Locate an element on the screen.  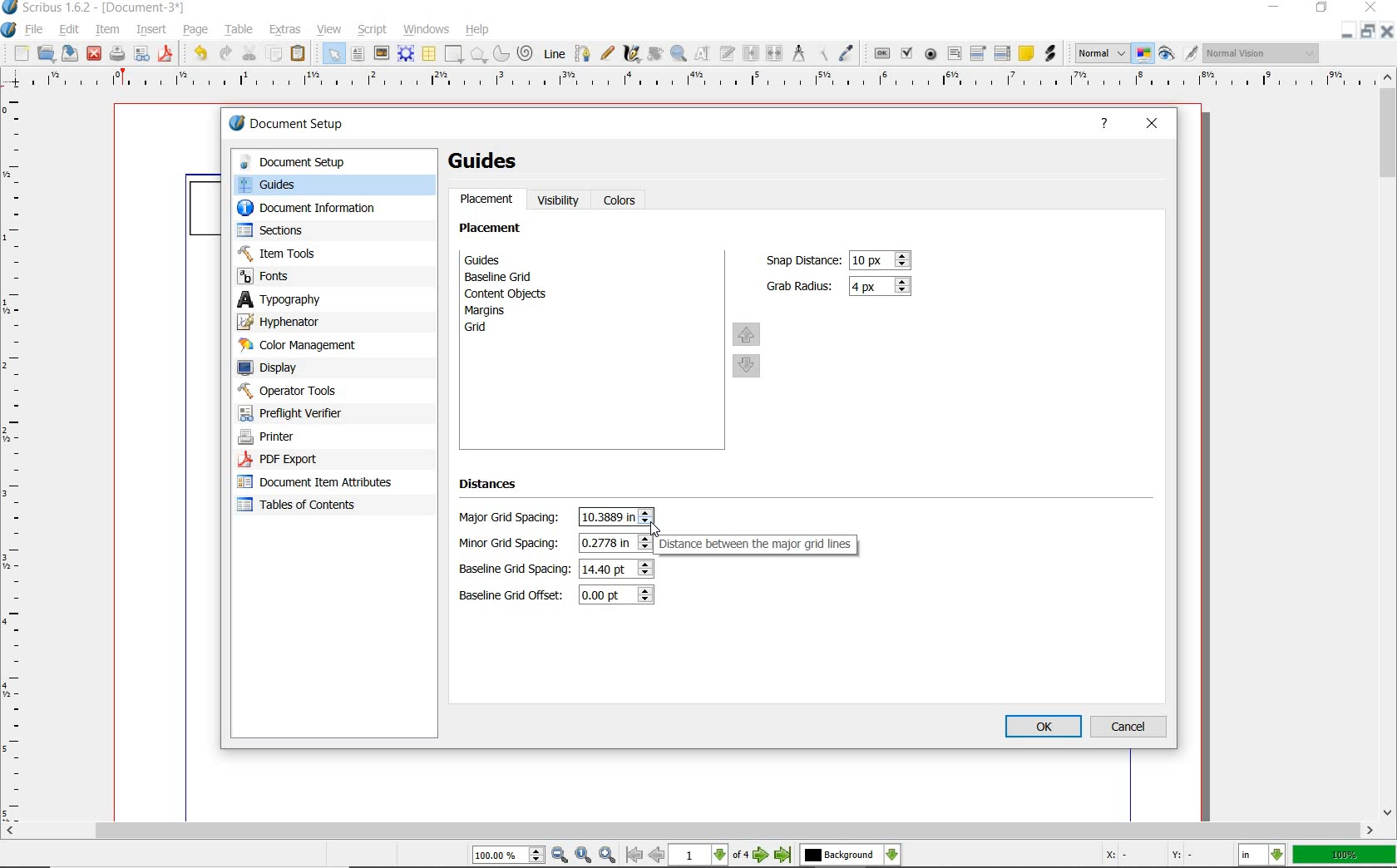
minimize is located at coordinates (1276, 7).